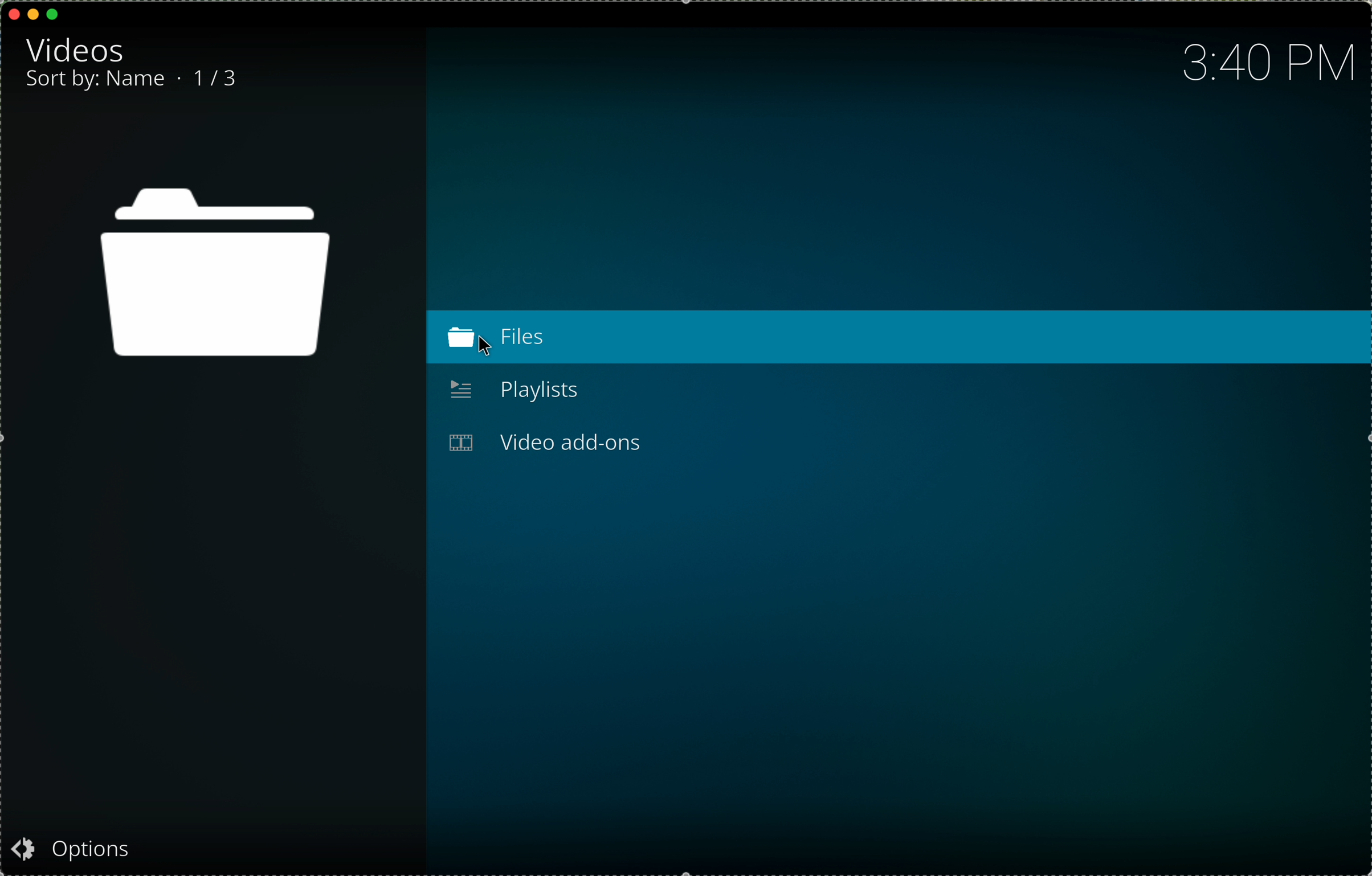 The width and height of the screenshot is (1372, 876). Describe the element at coordinates (70, 850) in the screenshot. I see `options` at that location.